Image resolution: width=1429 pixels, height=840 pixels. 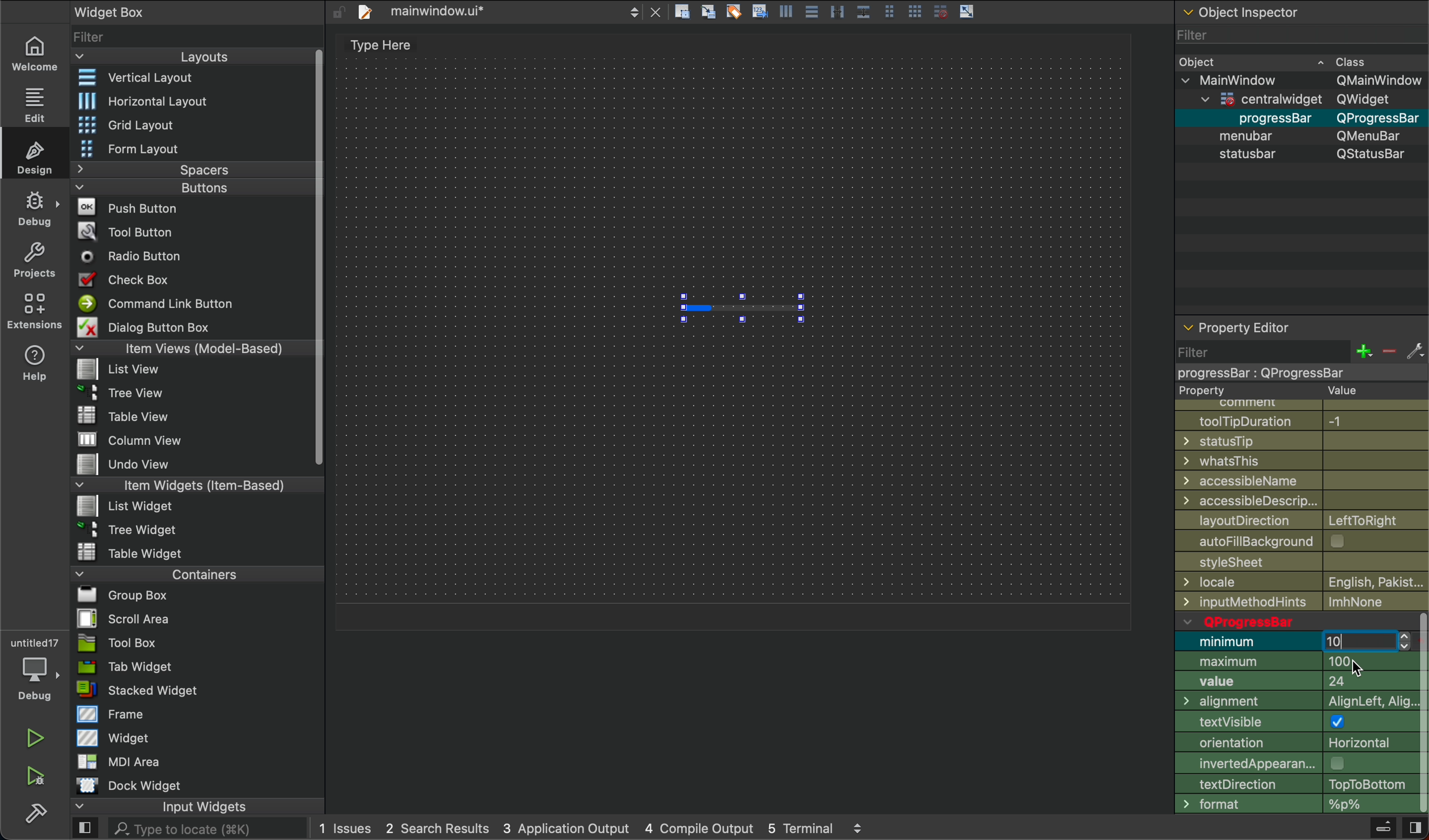 What do you see at coordinates (1294, 724) in the screenshot?
I see `testVisible` at bounding box center [1294, 724].